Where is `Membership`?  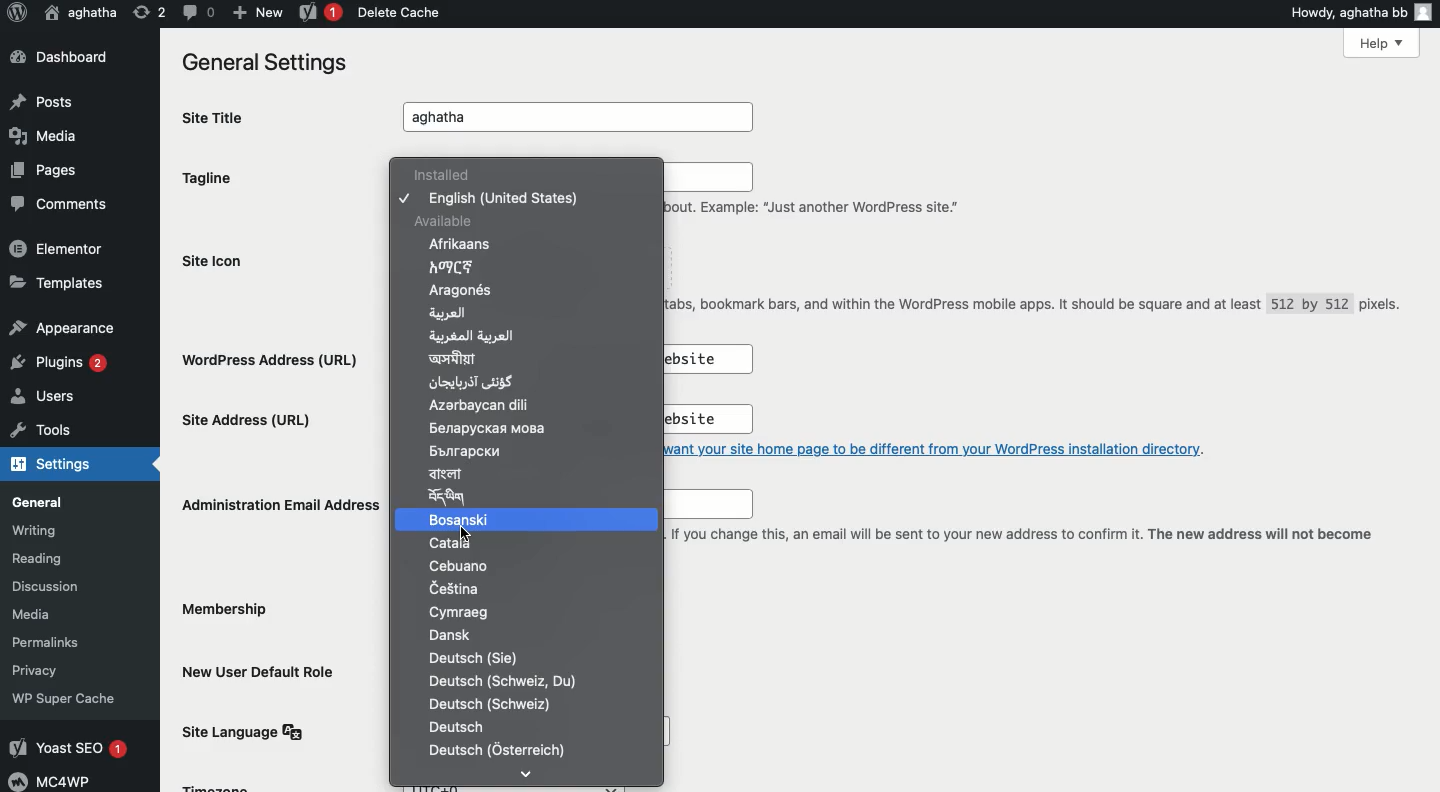
Membership is located at coordinates (229, 613).